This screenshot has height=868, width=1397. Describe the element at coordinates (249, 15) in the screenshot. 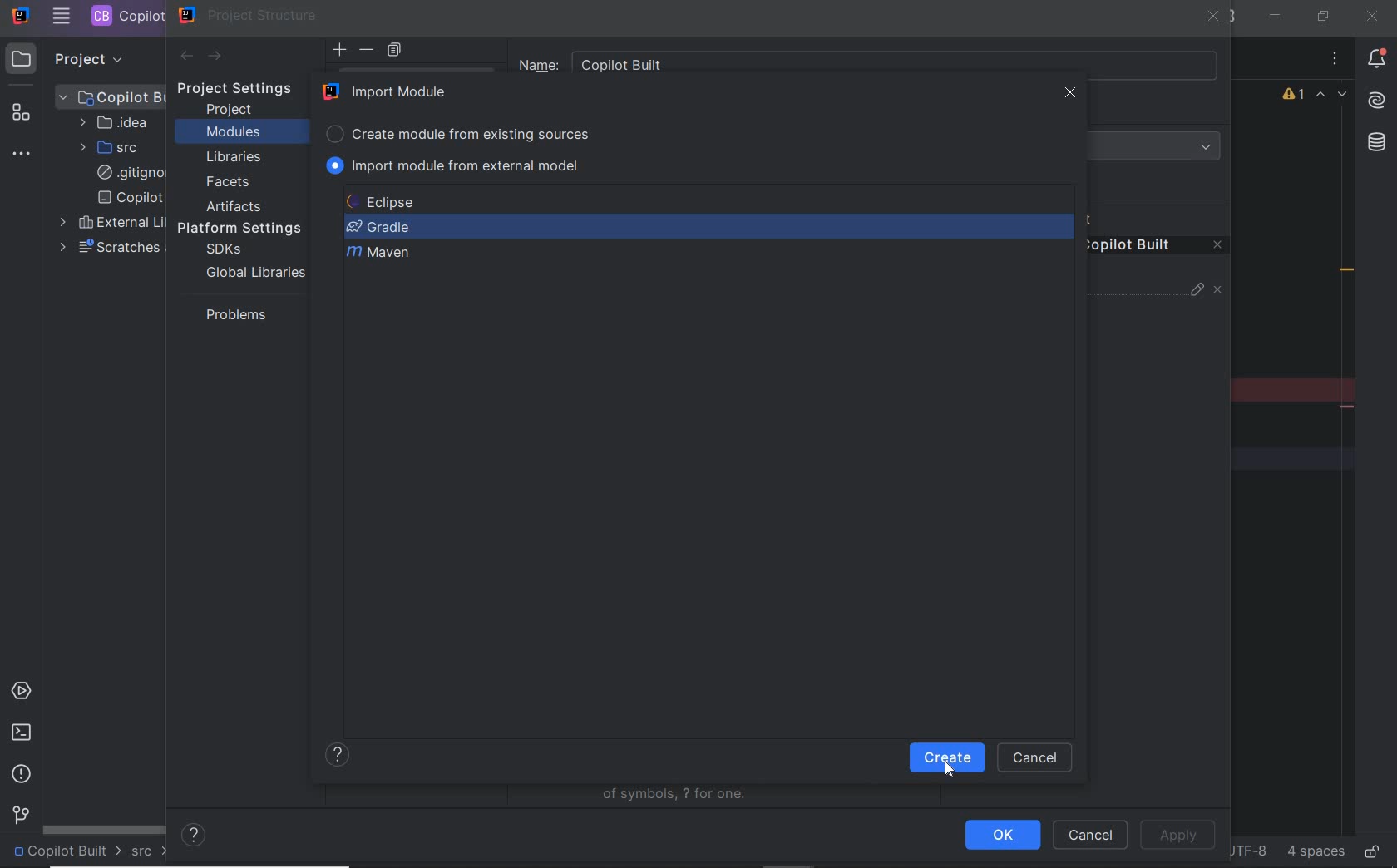

I see `project structure` at that location.